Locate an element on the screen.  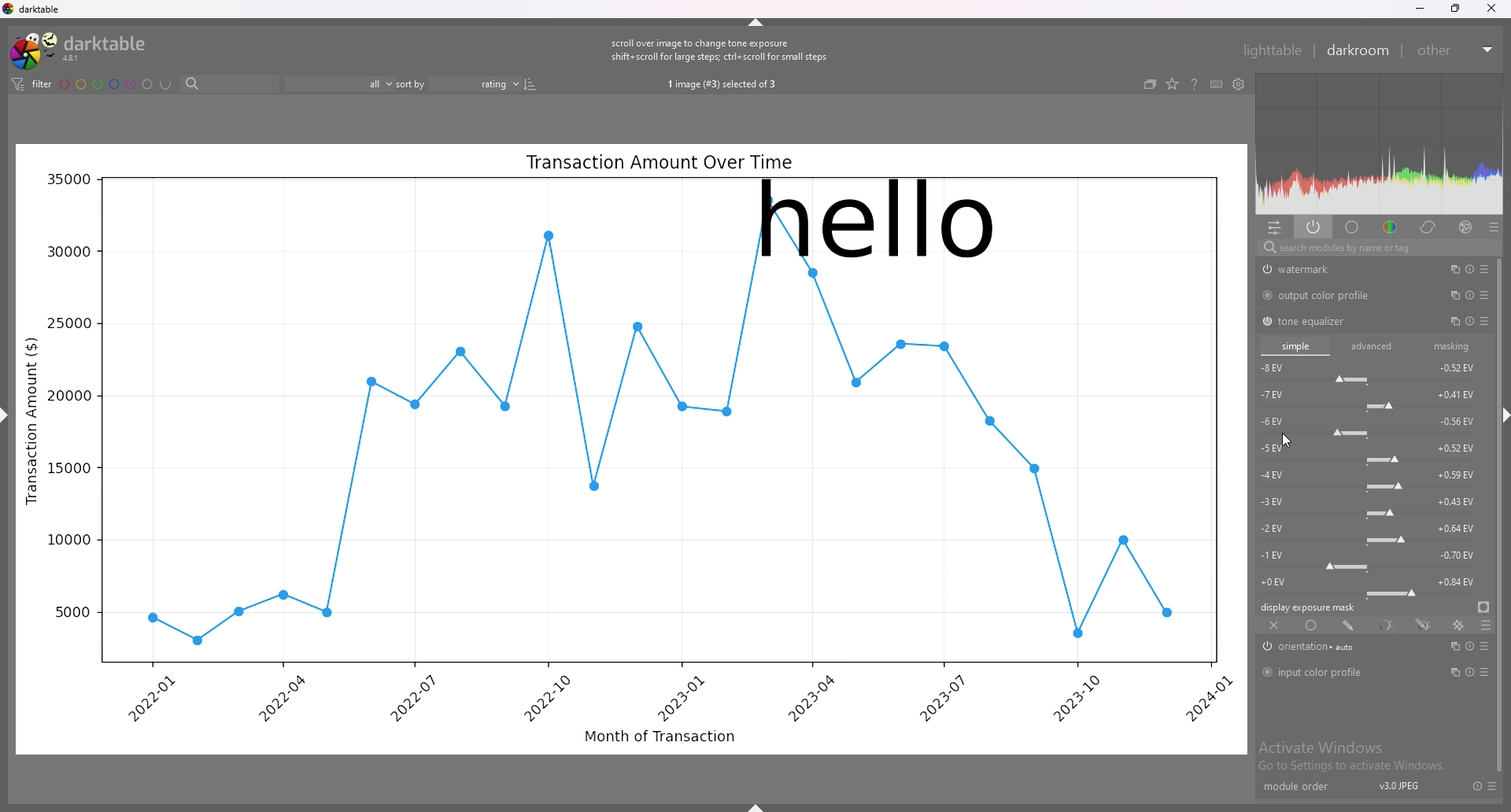
presets is located at coordinates (1491, 786).